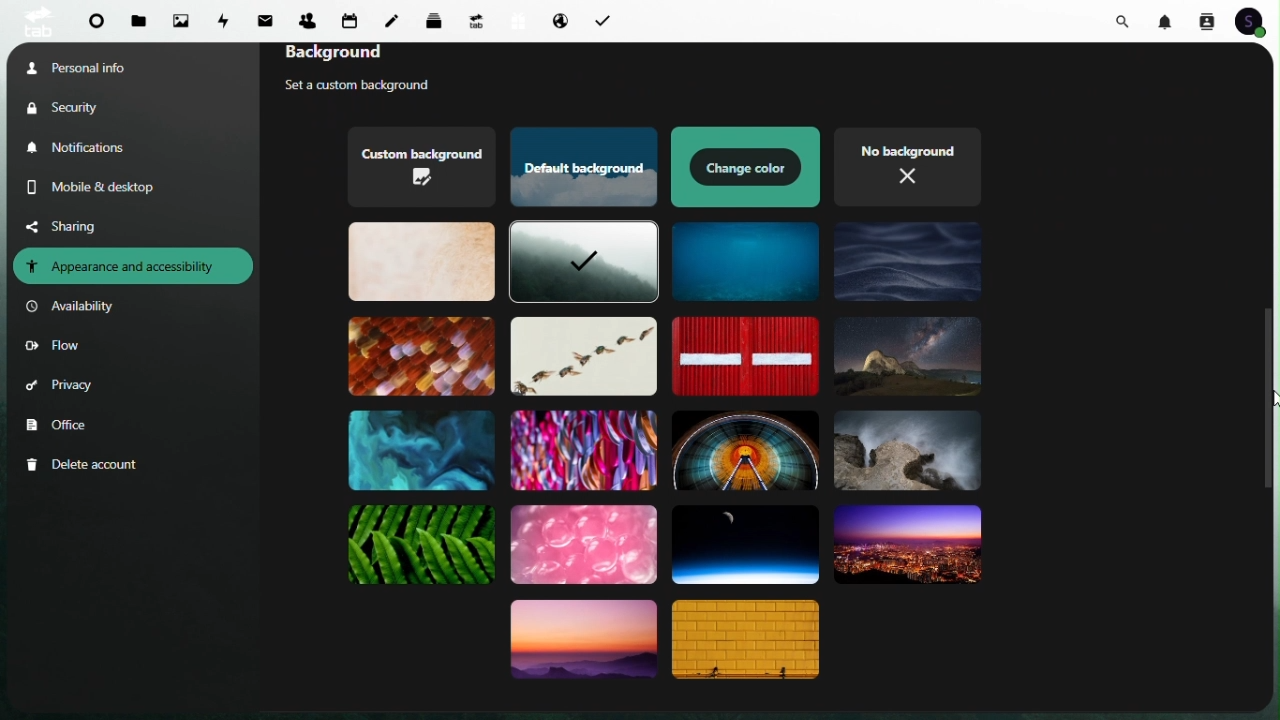 Image resolution: width=1280 pixels, height=720 pixels. Describe the element at coordinates (101, 66) in the screenshot. I see `personal info` at that location.